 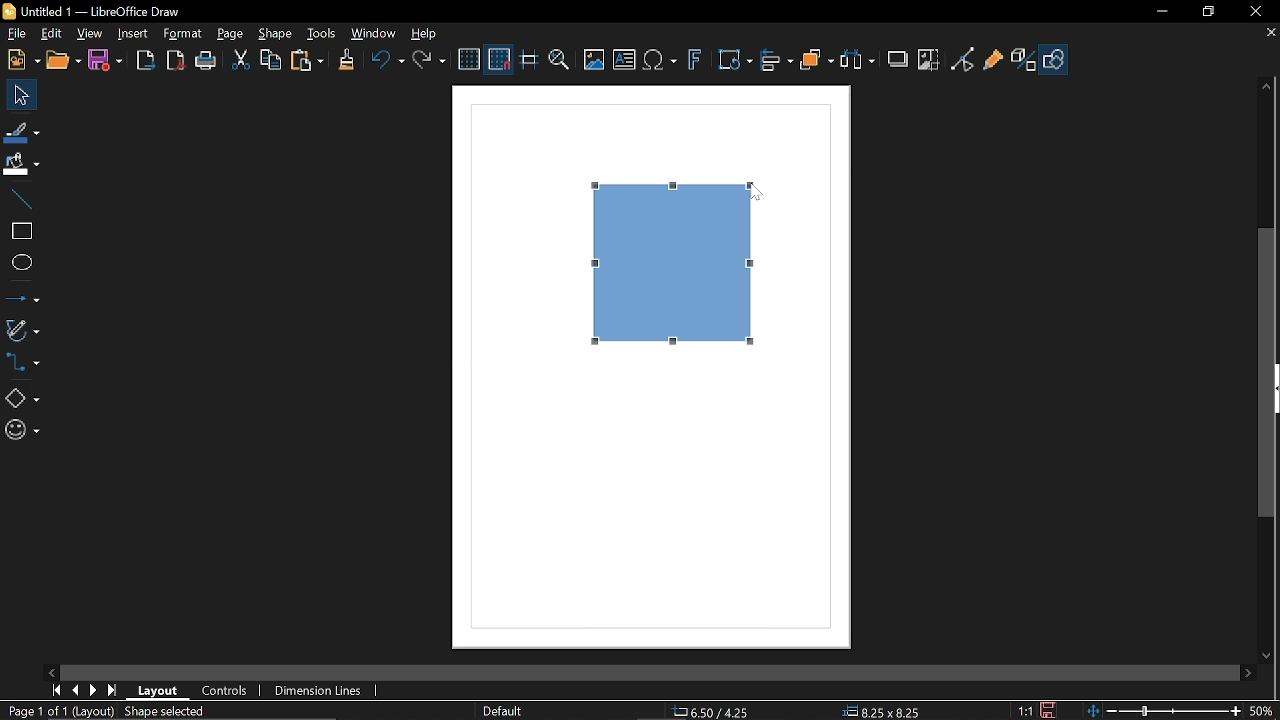 I want to click on last page, so click(x=112, y=690).